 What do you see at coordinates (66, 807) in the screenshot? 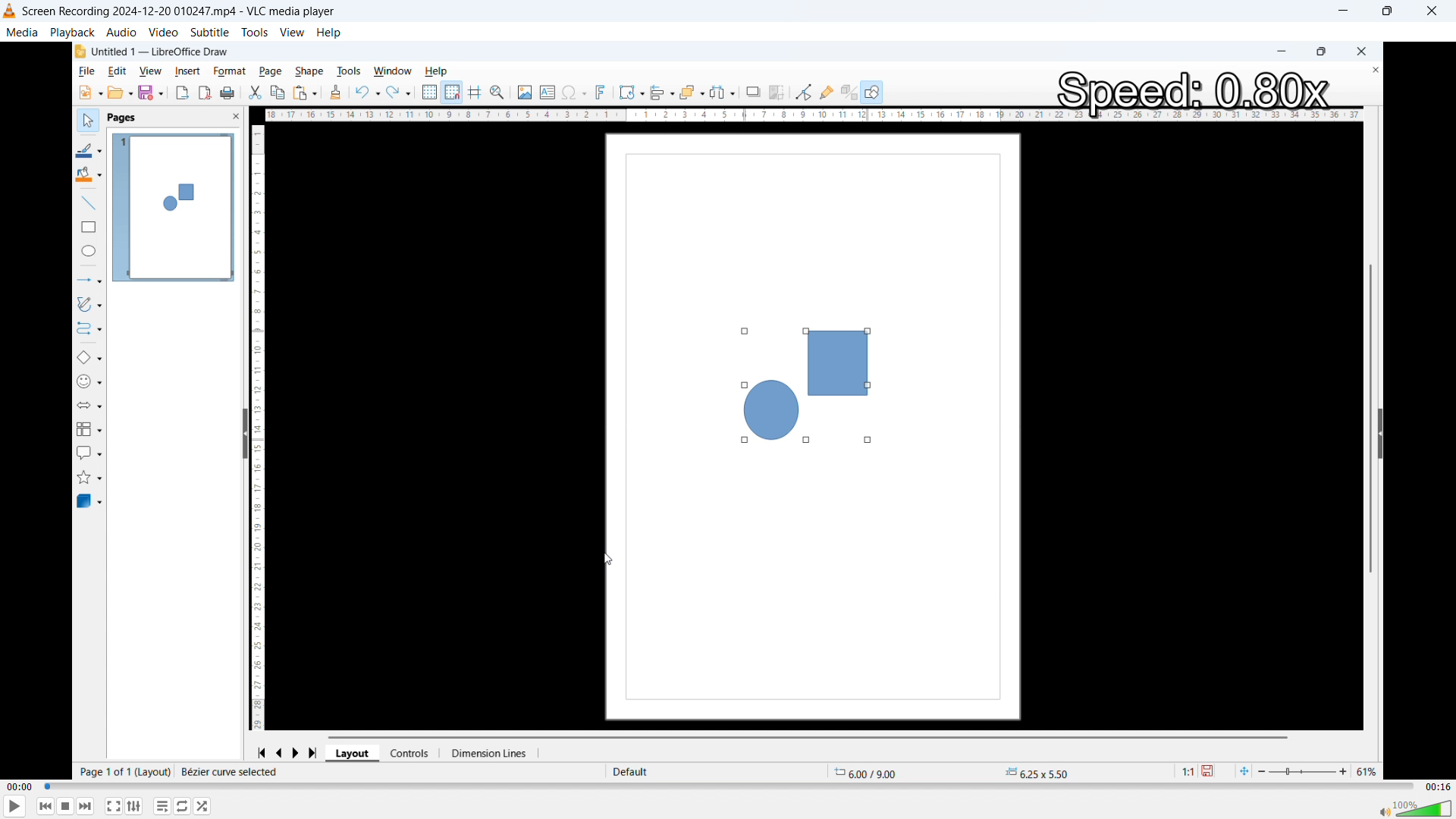
I see `Stop playback ` at bounding box center [66, 807].